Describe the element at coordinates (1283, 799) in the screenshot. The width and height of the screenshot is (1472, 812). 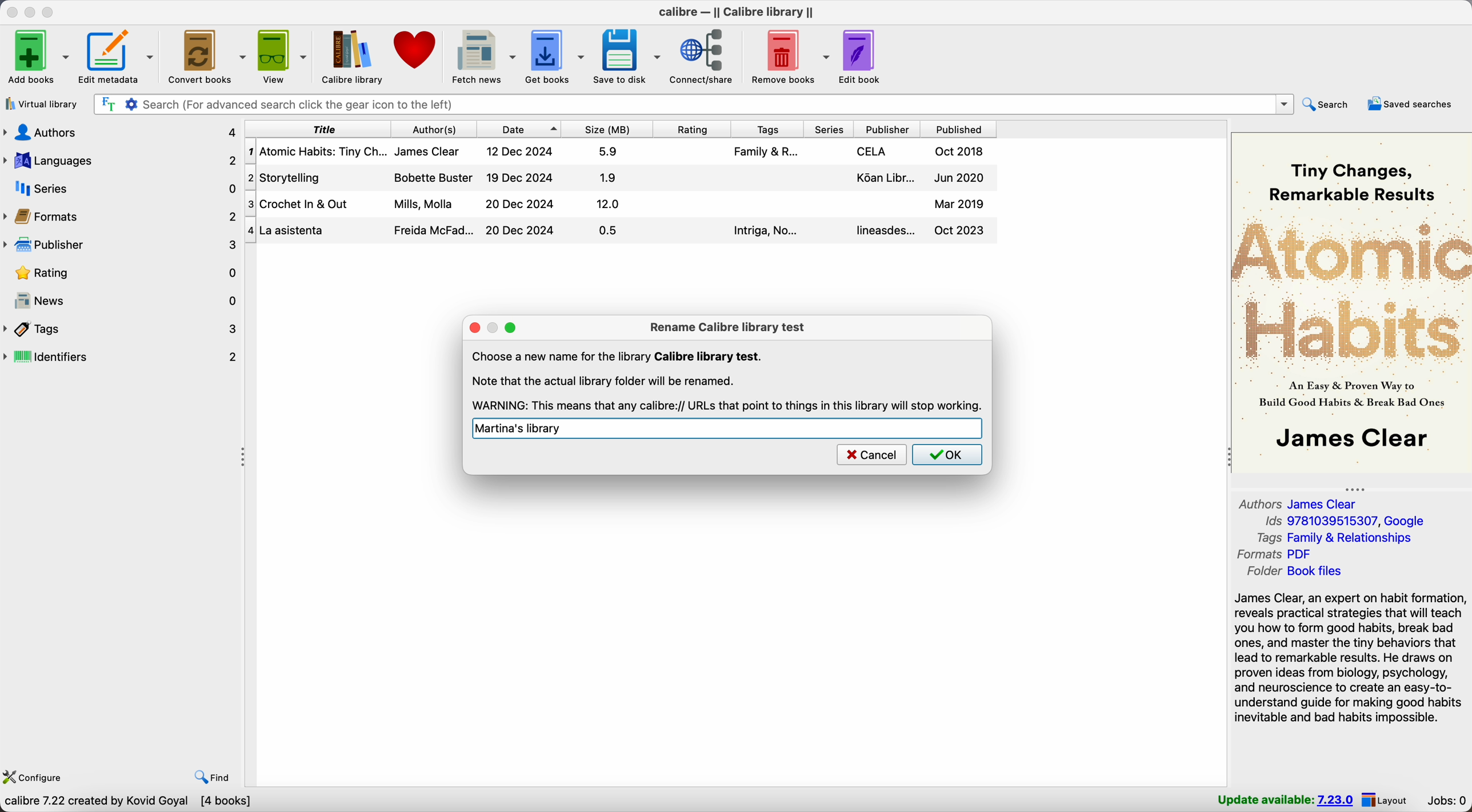
I see `update available: 7.23.0` at that location.